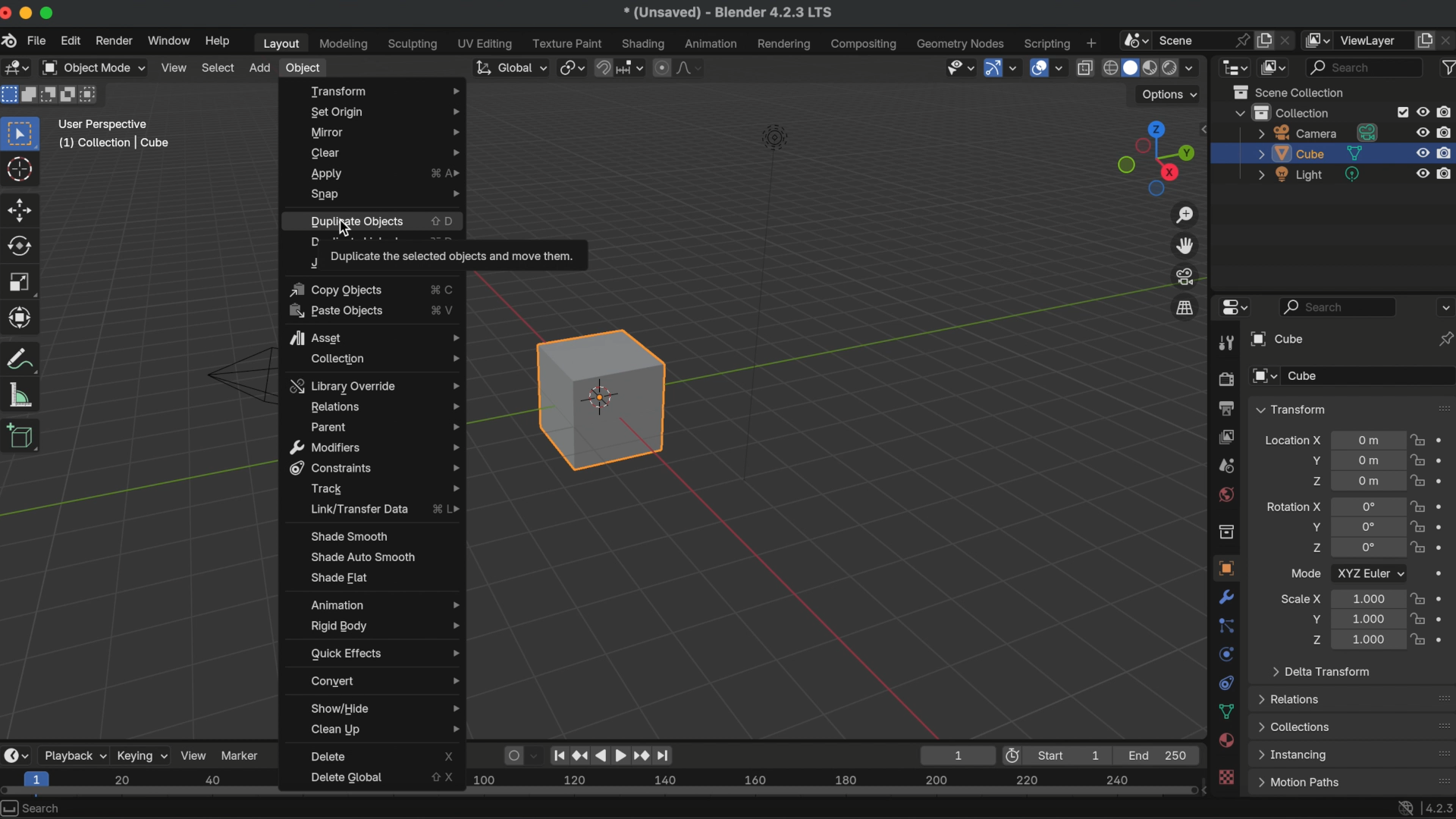 This screenshot has height=819, width=1456. I want to click on mode invert existing condition, so click(69, 96).